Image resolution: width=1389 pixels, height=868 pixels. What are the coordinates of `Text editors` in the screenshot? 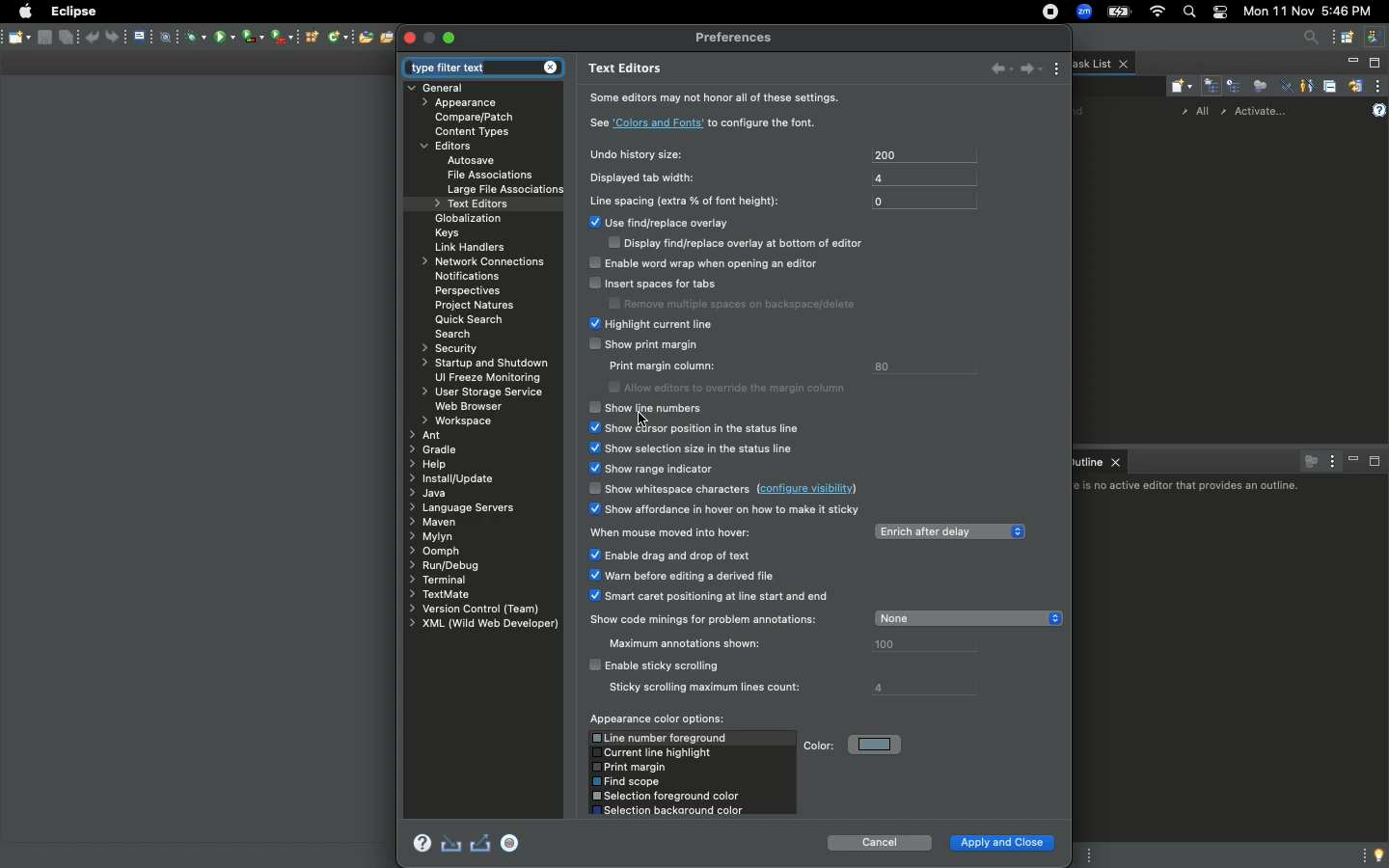 It's located at (474, 205).